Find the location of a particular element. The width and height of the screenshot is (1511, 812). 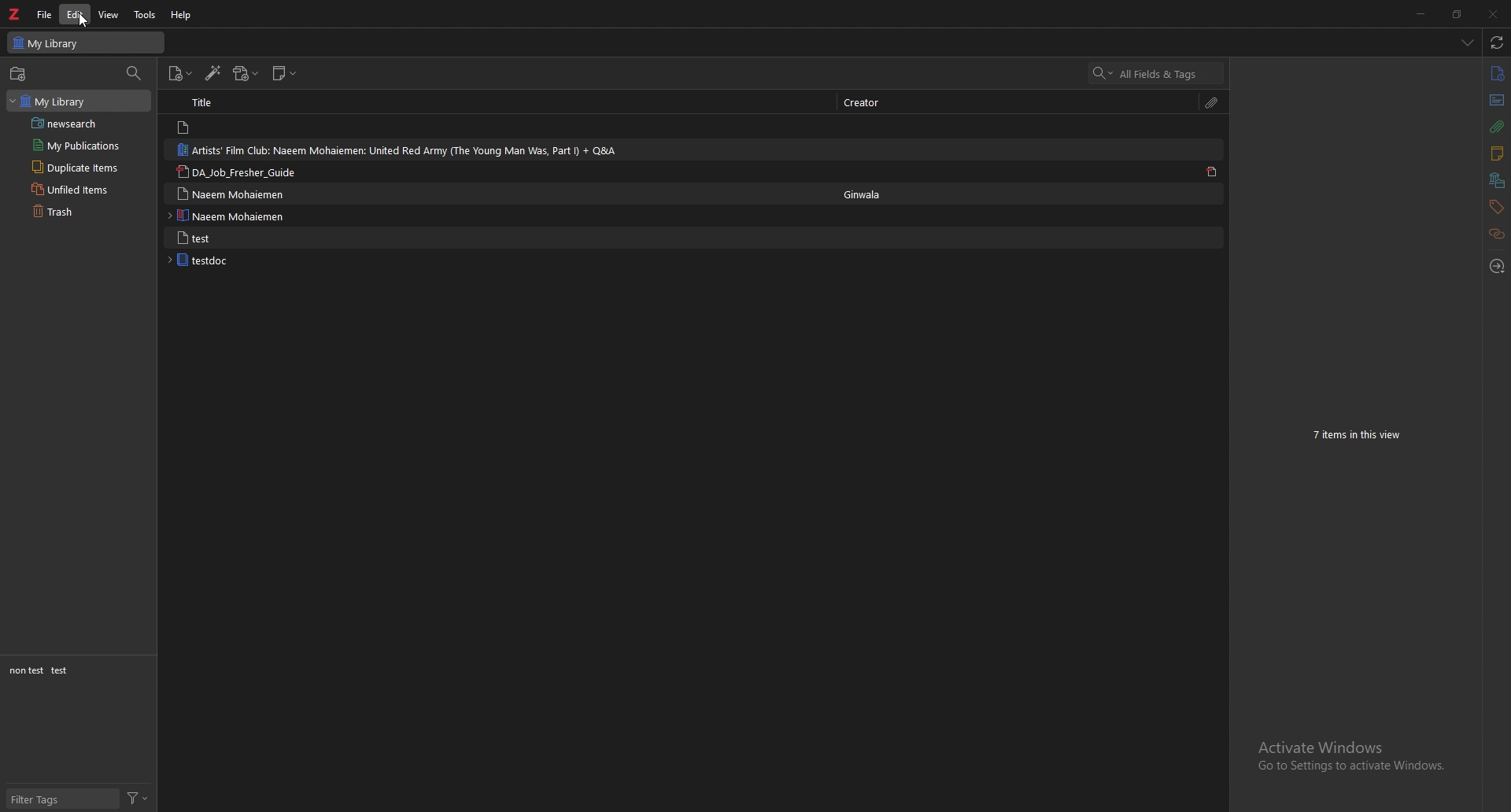

note is located at coordinates (227, 127).